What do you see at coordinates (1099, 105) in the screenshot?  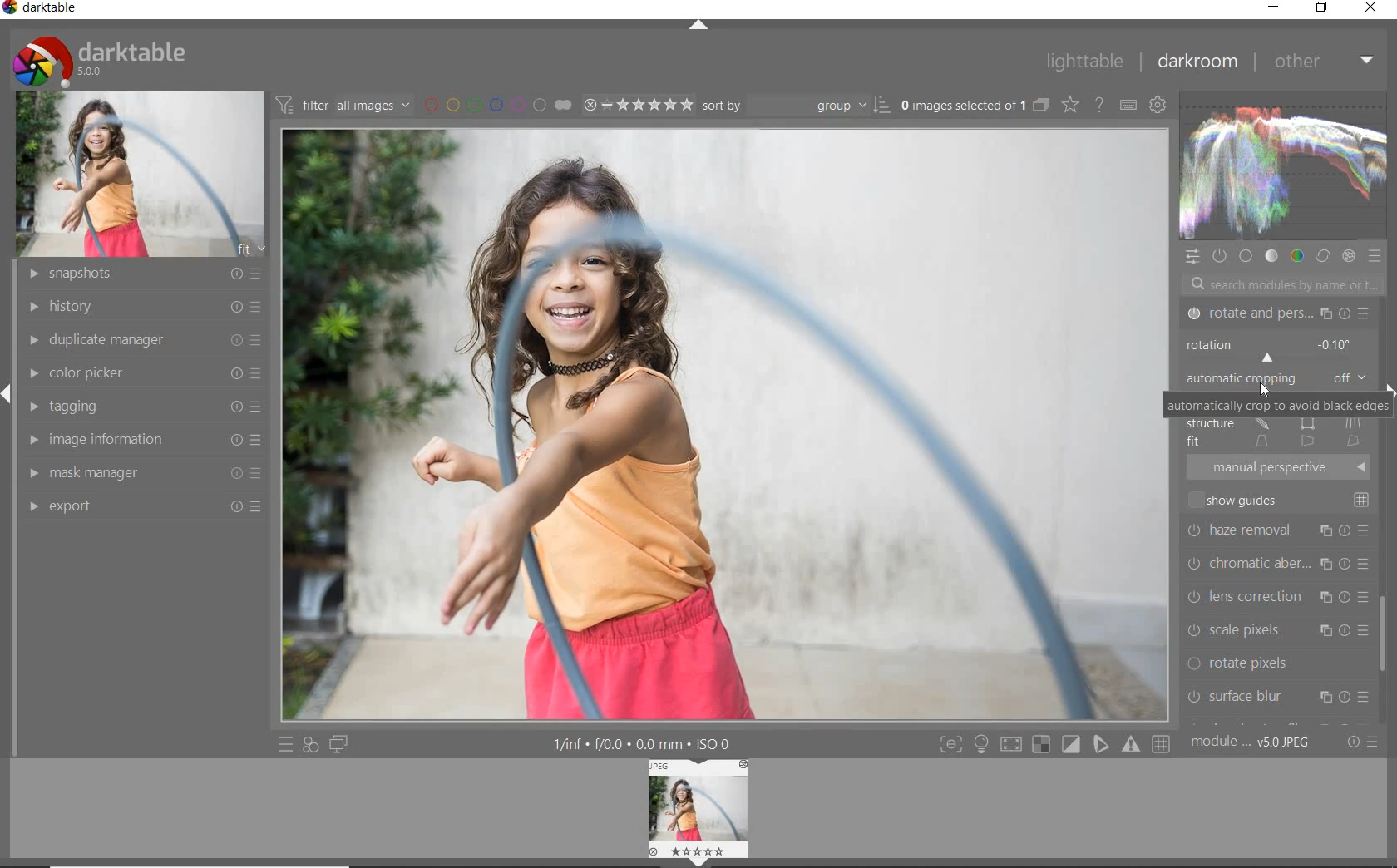 I see `enable for online help` at bounding box center [1099, 105].